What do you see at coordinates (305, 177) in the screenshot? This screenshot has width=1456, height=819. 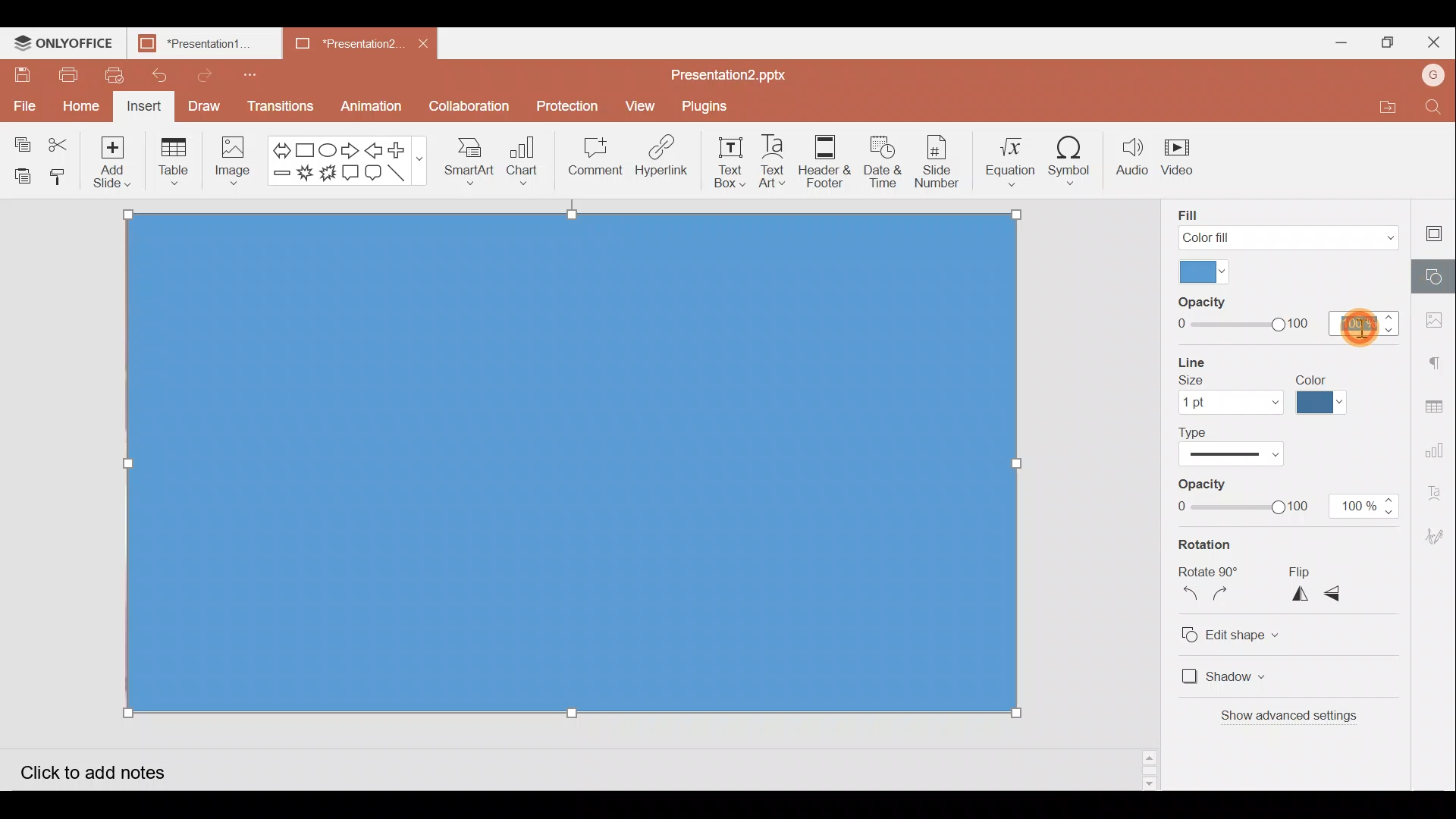 I see `Explosion 1` at bounding box center [305, 177].